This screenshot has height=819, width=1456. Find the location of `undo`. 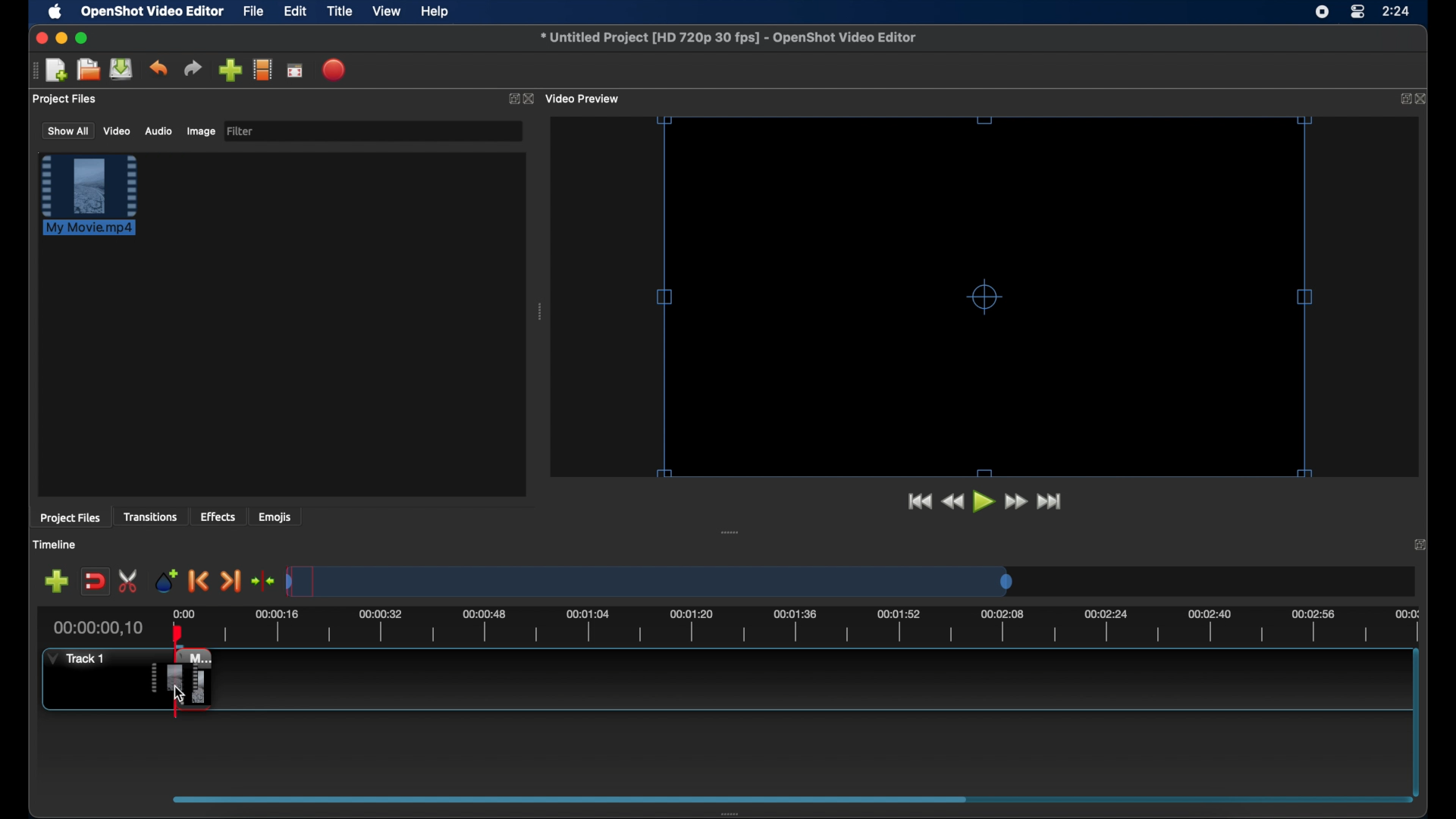

undo is located at coordinates (158, 68).